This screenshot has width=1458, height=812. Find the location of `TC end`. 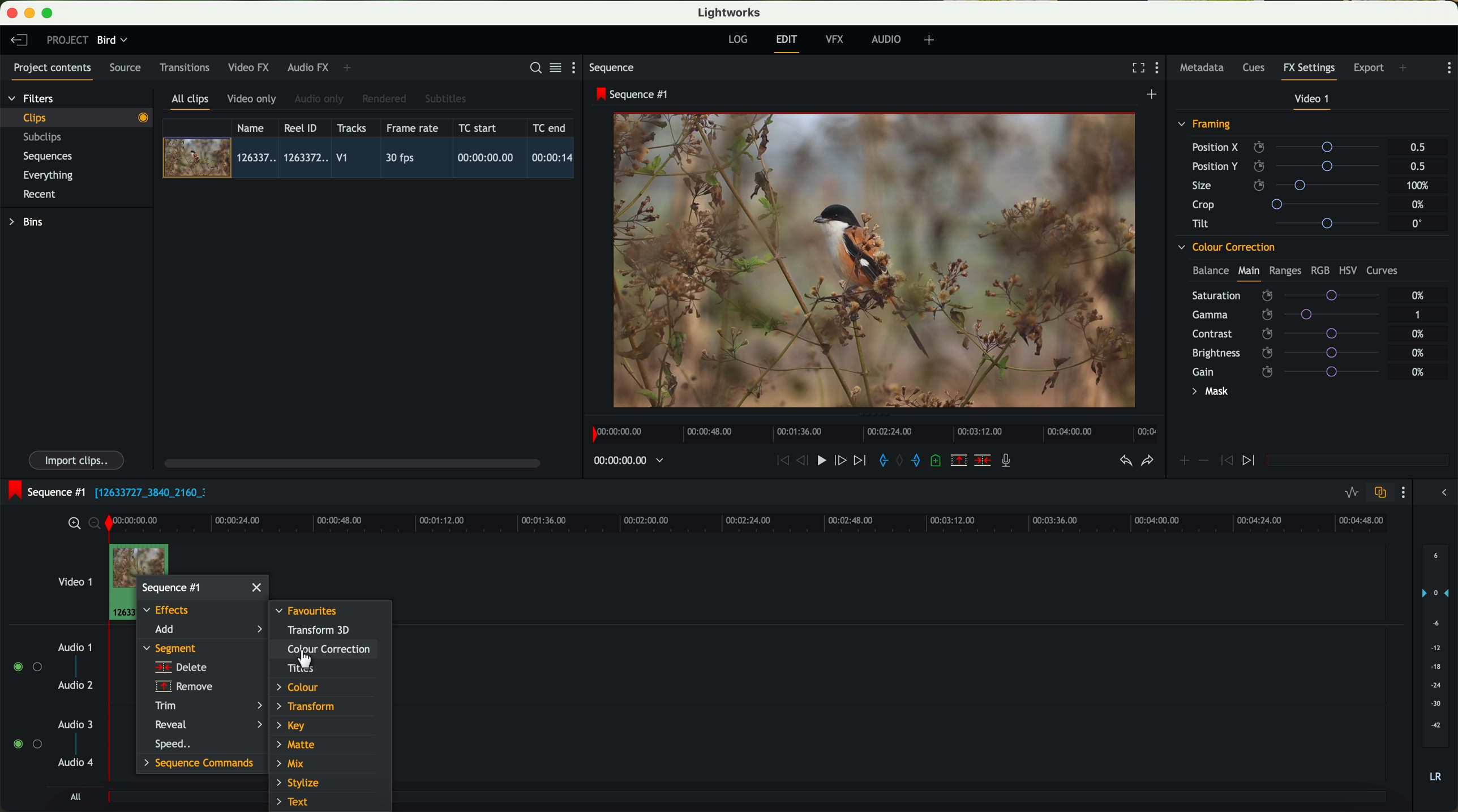

TC end is located at coordinates (550, 127).